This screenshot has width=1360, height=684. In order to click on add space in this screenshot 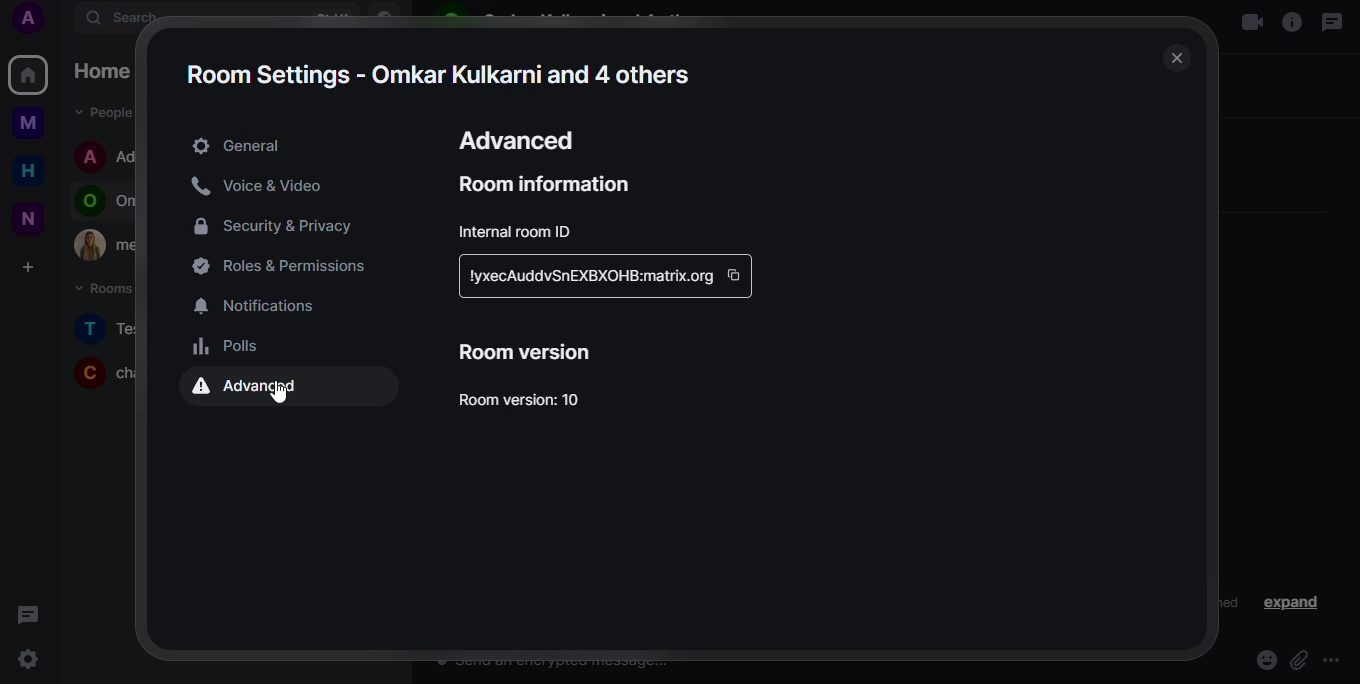, I will do `click(36, 268)`.